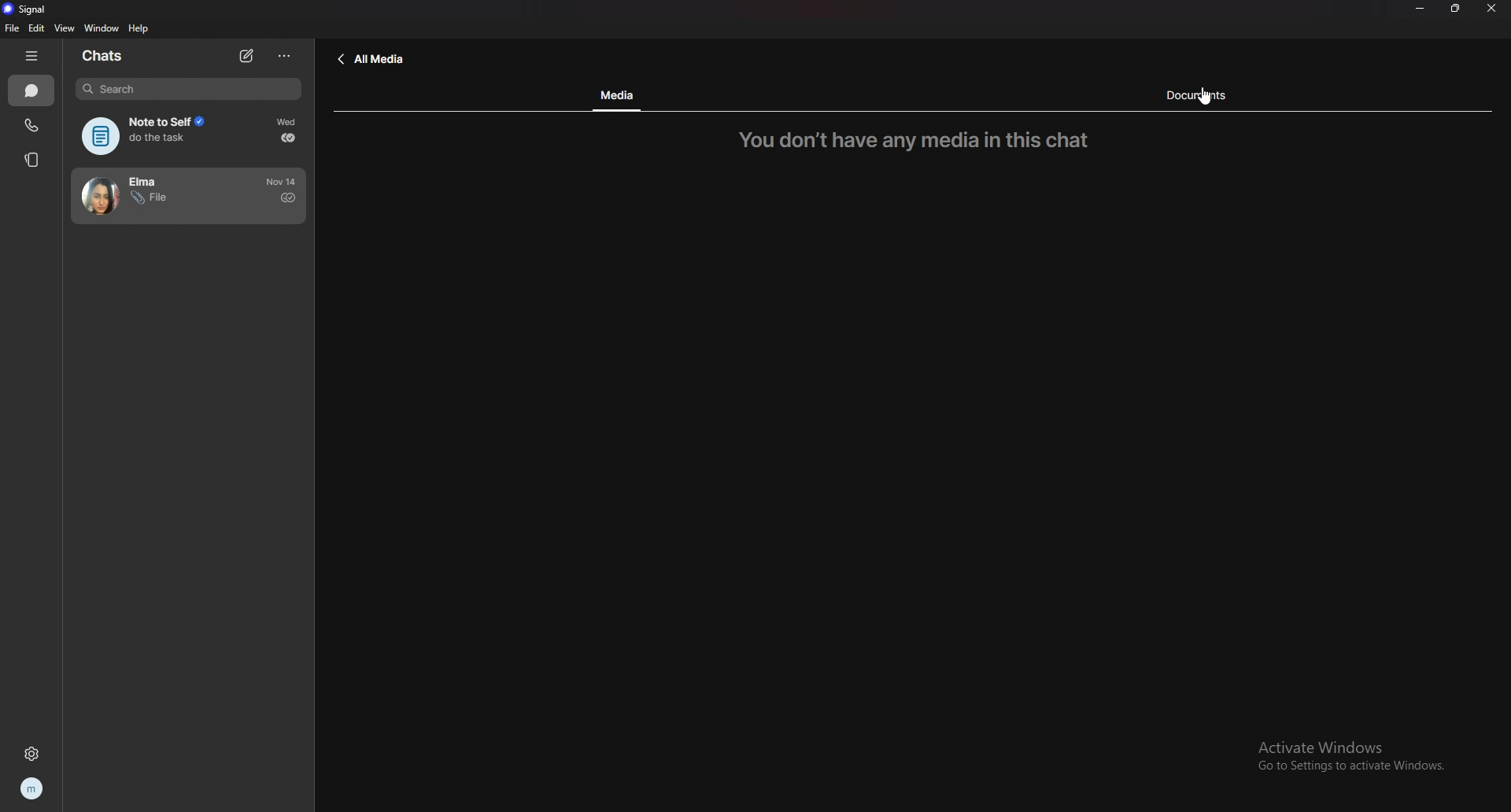 The image size is (1511, 812). I want to click on stories, so click(33, 160).